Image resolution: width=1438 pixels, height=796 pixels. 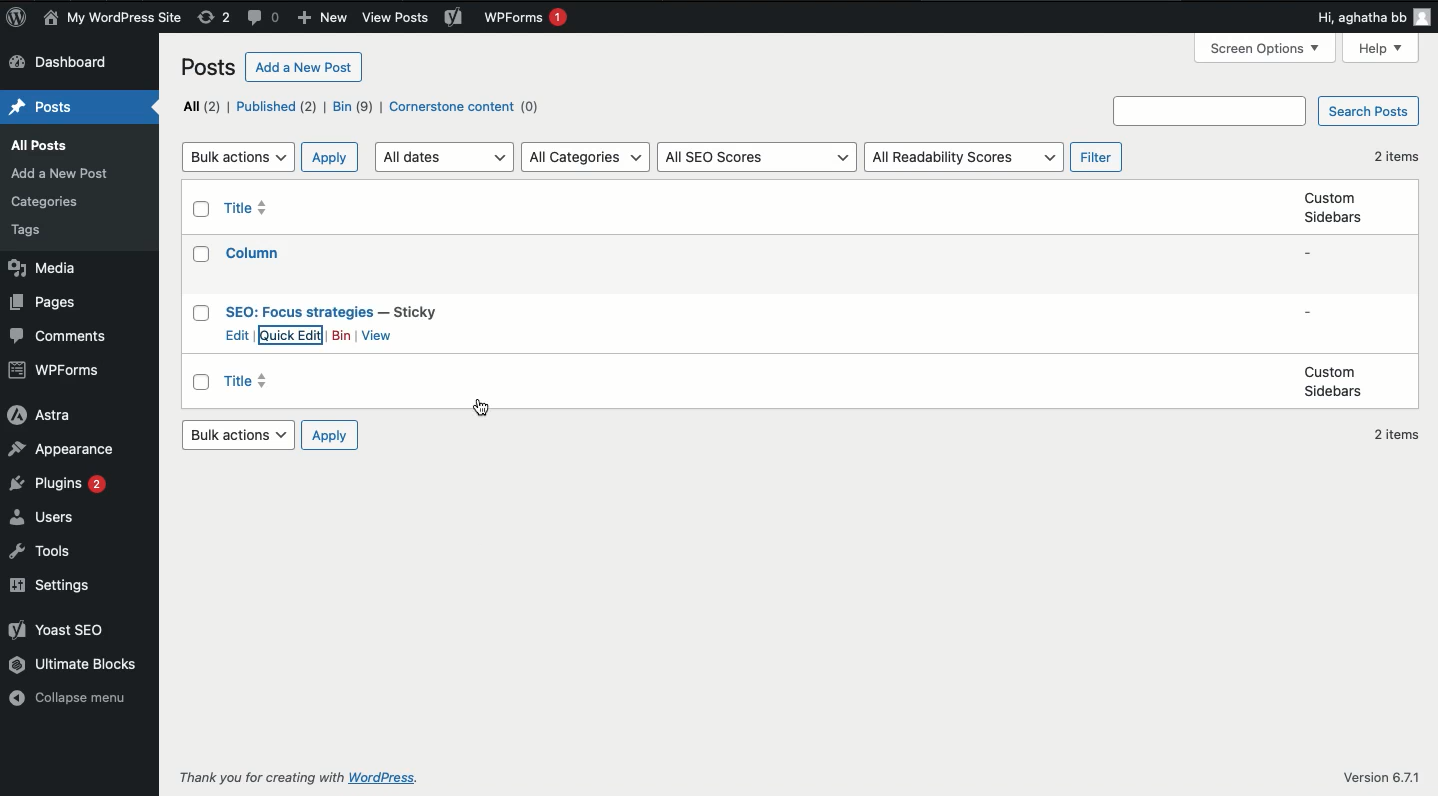 I want to click on Posts, so click(x=64, y=173).